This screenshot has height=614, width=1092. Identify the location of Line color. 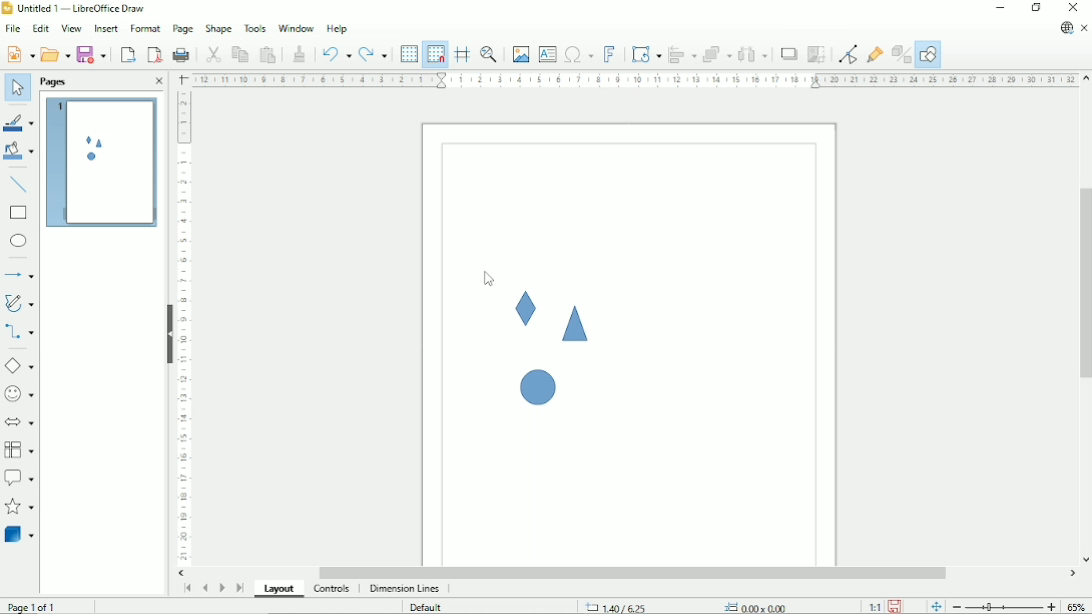
(18, 120).